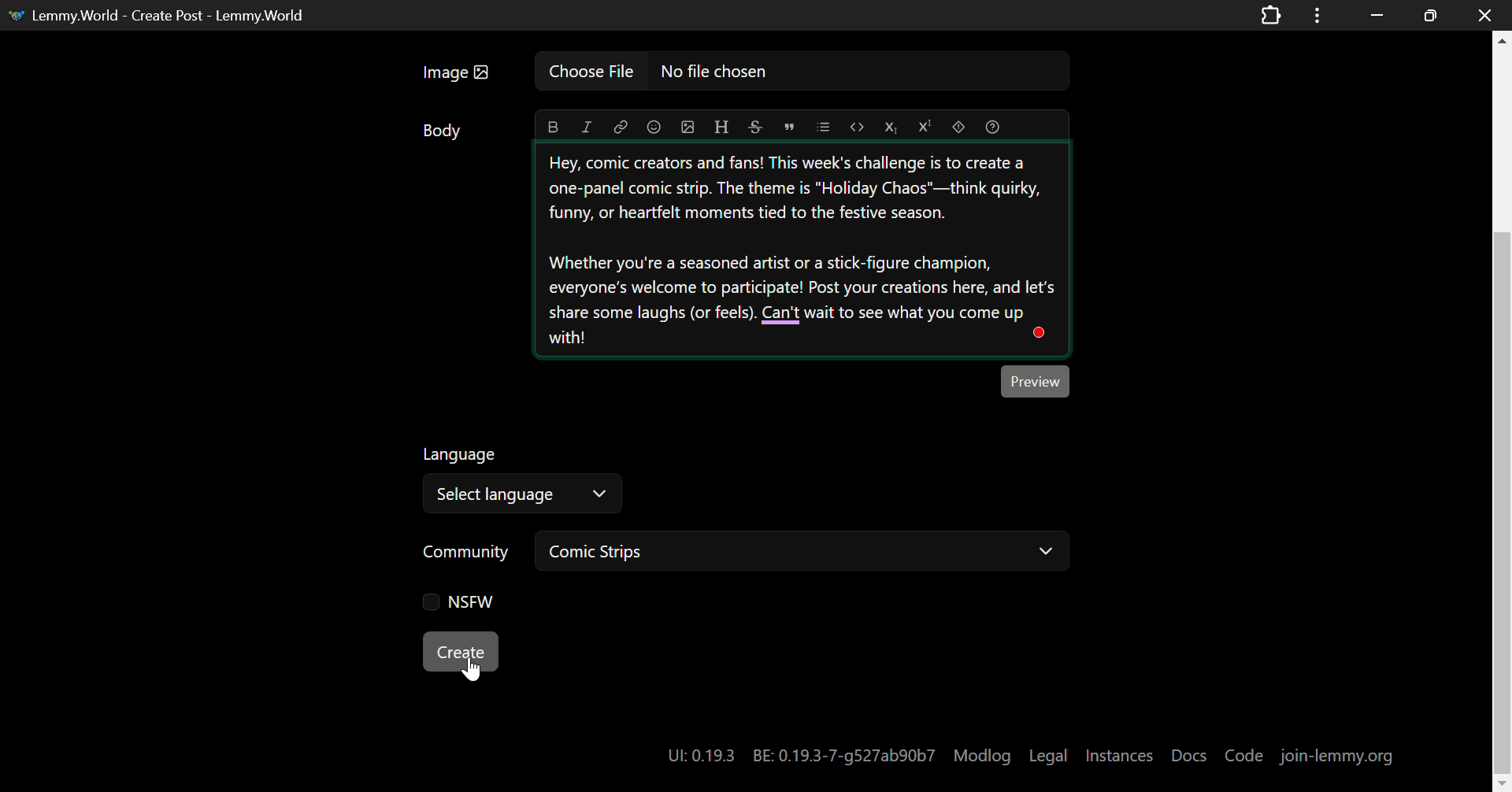 This screenshot has height=792, width=1512. Describe the element at coordinates (802, 251) in the screenshot. I see `Hey, comic creators and fans! This week's challenge is to create a one-panel comic strip. The theme is "Holiday Chaos"—think quirky, funny, or heartfelt moments tied to the festive season. Whether you're a seasoned artist or a stick-figure champion, everyone's welcome to participate! Post your creations here, and let's share some laughs (or feels). Can't wait to see what you come up with.` at that location.